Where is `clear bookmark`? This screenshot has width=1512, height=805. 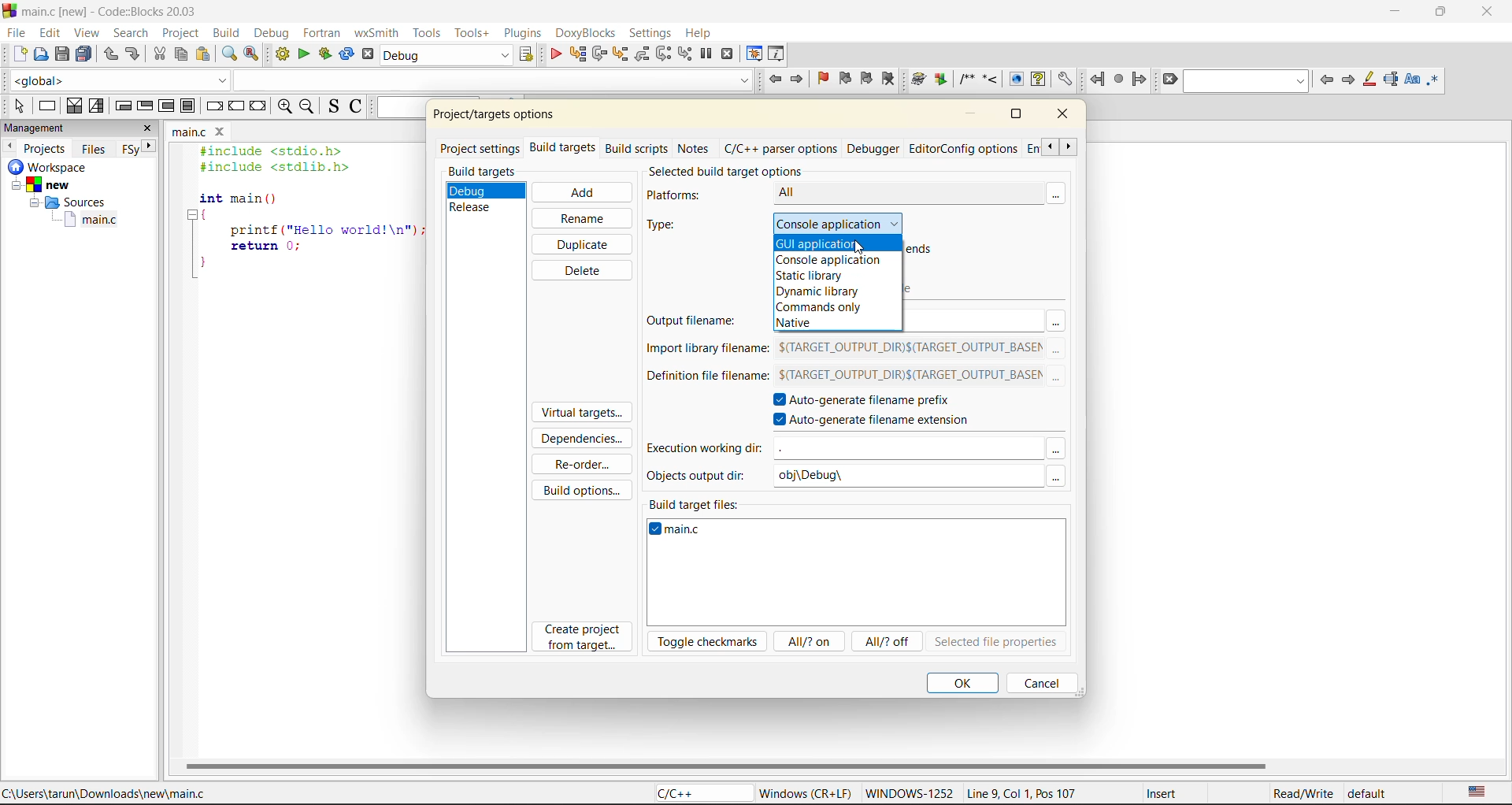
clear bookmark is located at coordinates (891, 81).